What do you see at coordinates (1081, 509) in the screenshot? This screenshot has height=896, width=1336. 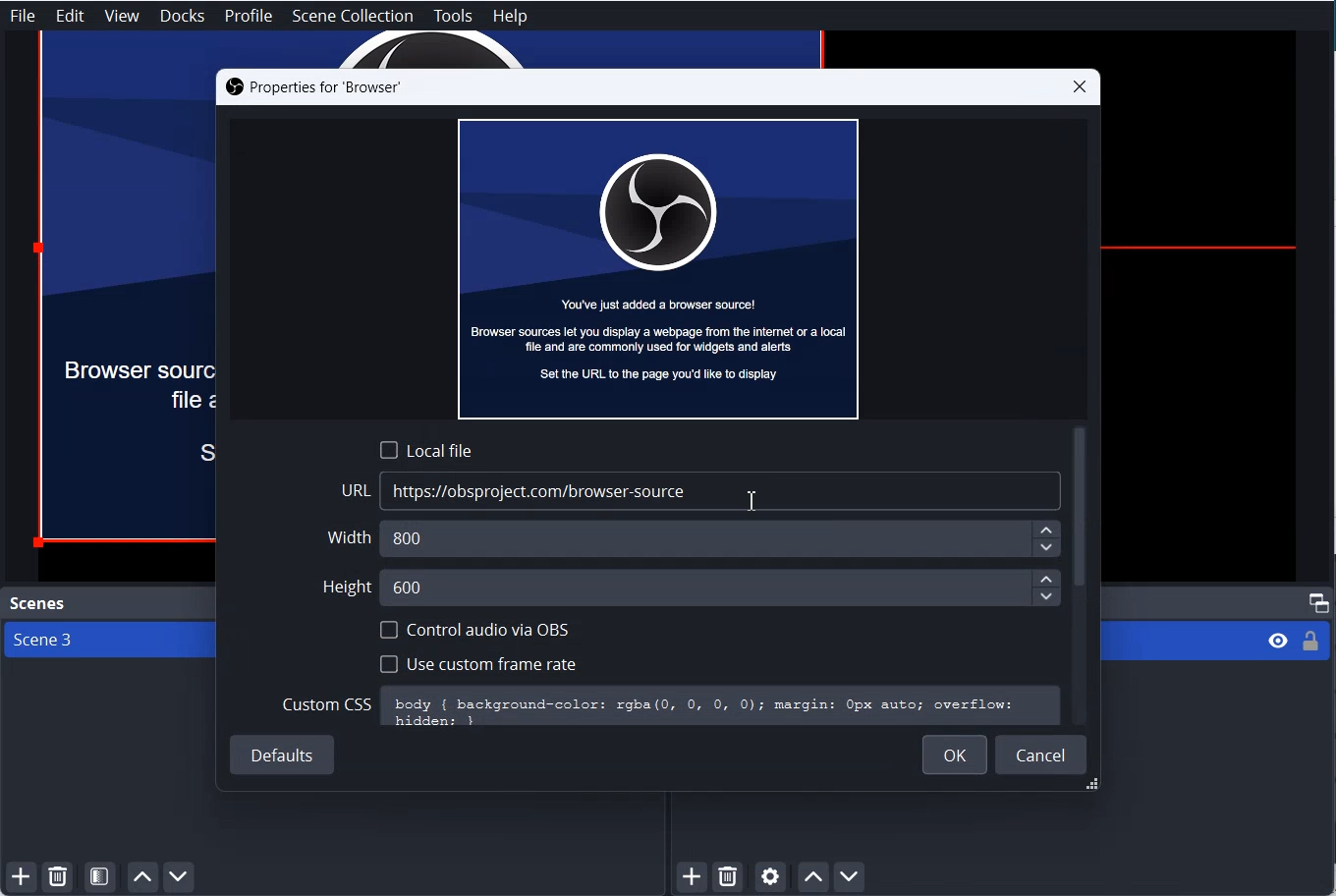 I see `Vertical scroll bar` at bounding box center [1081, 509].